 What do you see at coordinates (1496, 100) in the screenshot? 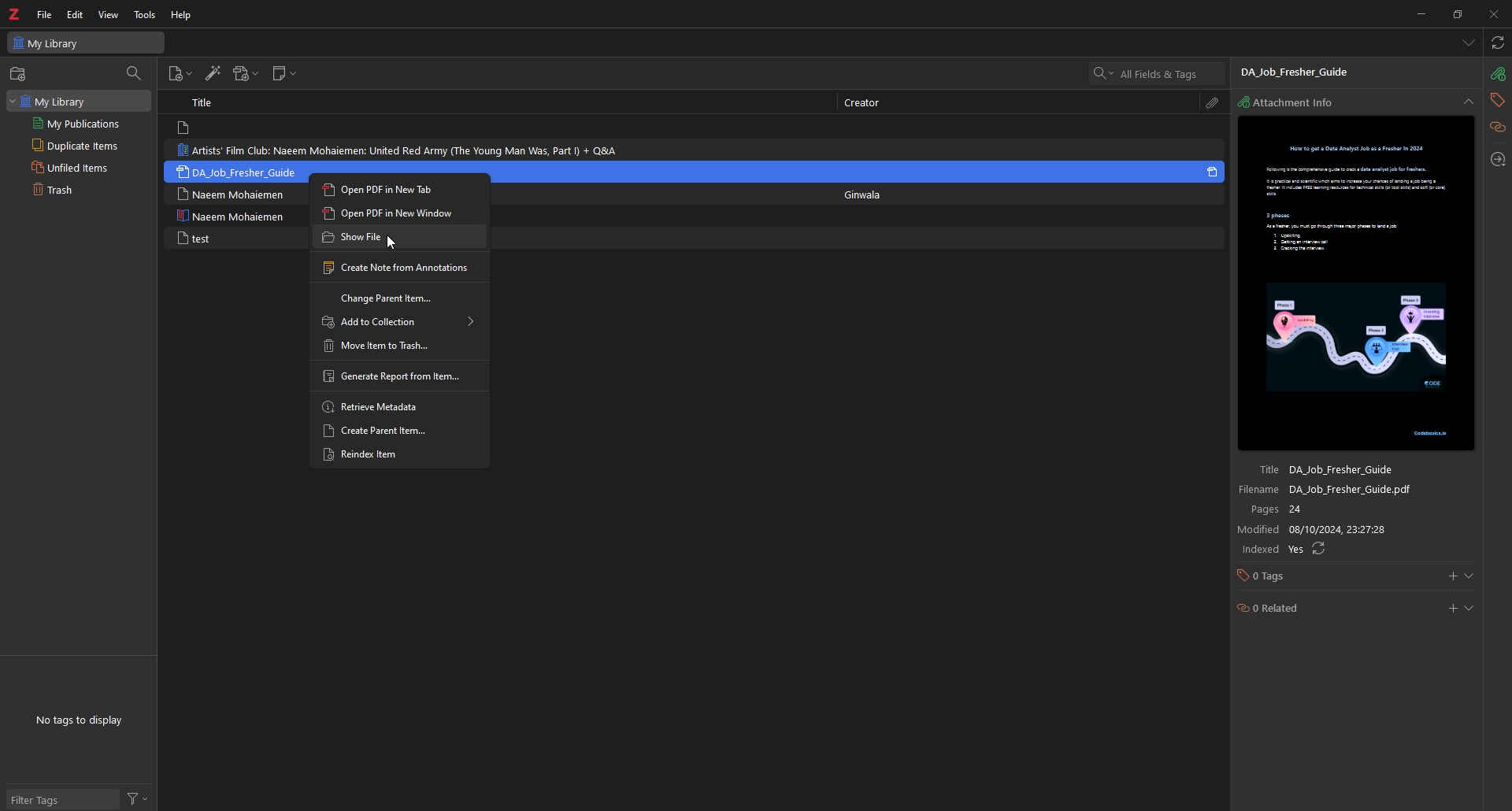
I see `tags` at bounding box center [1496, 100].